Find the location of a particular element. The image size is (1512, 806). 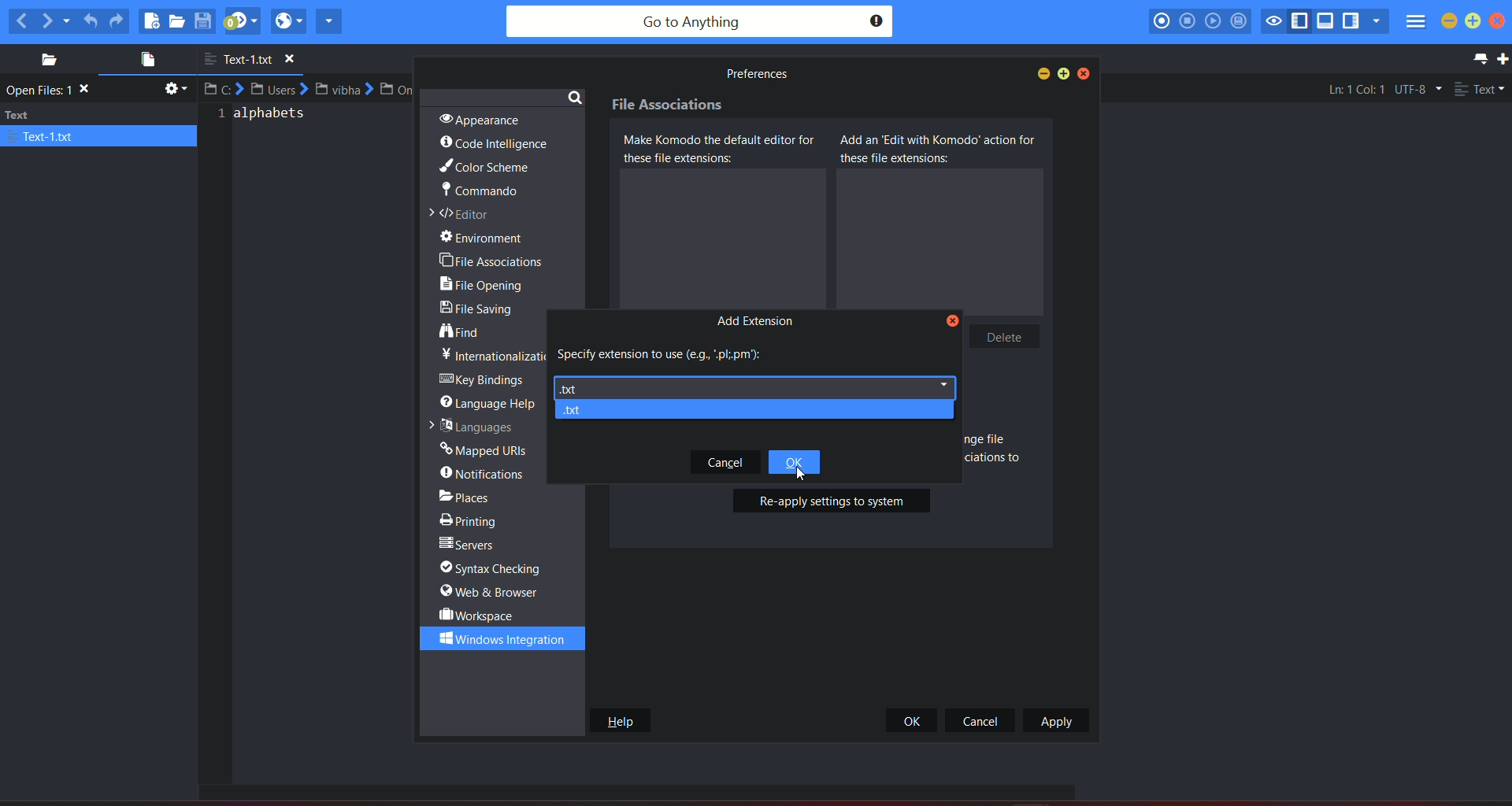

printing is located at coordinates (472, 519).